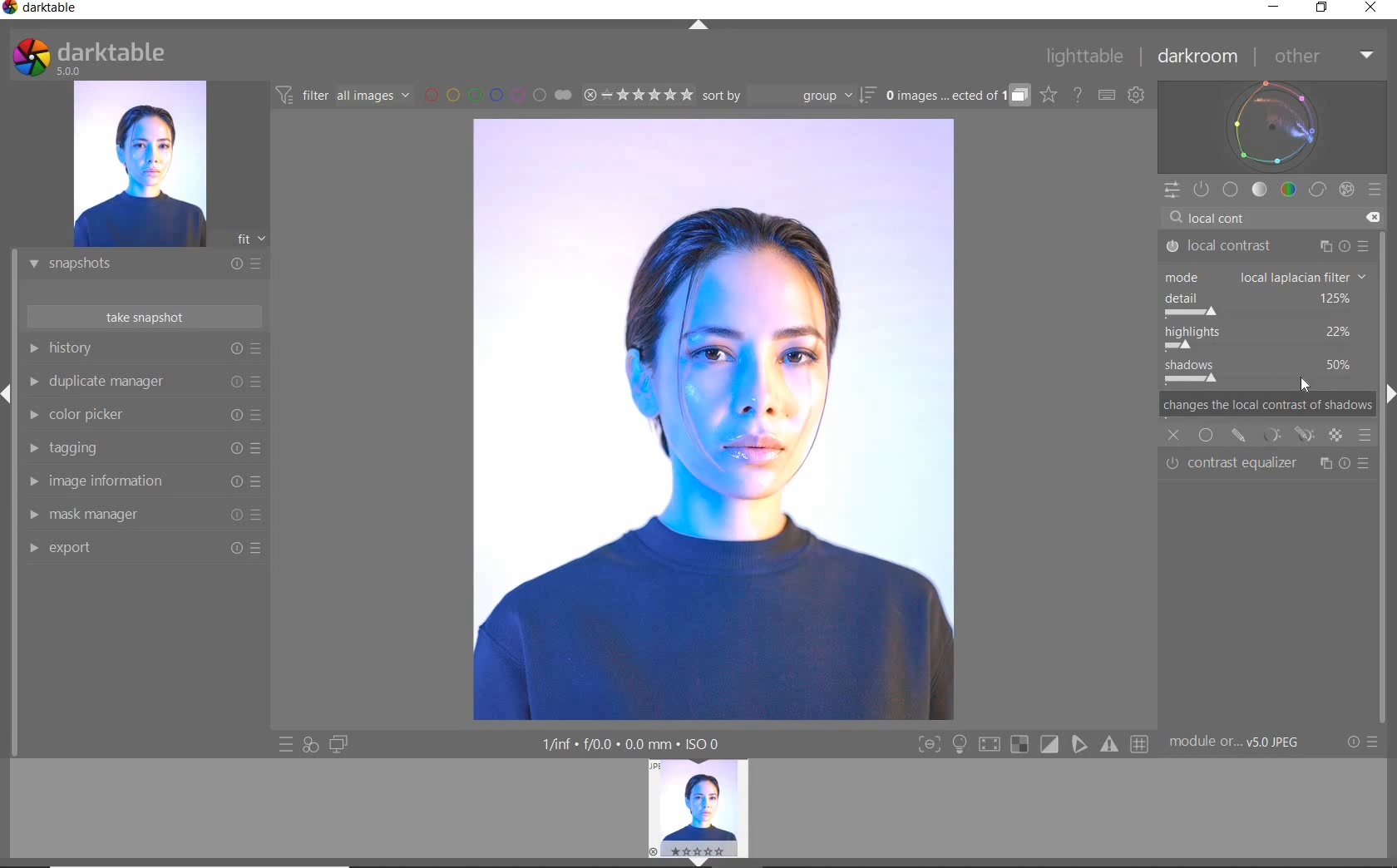 Image resolution: width=1397 pixels, height=868 pixels. Describe the element at coordinates (1239, 435) in the screenshot. I see `MASK OPTION` at that location.